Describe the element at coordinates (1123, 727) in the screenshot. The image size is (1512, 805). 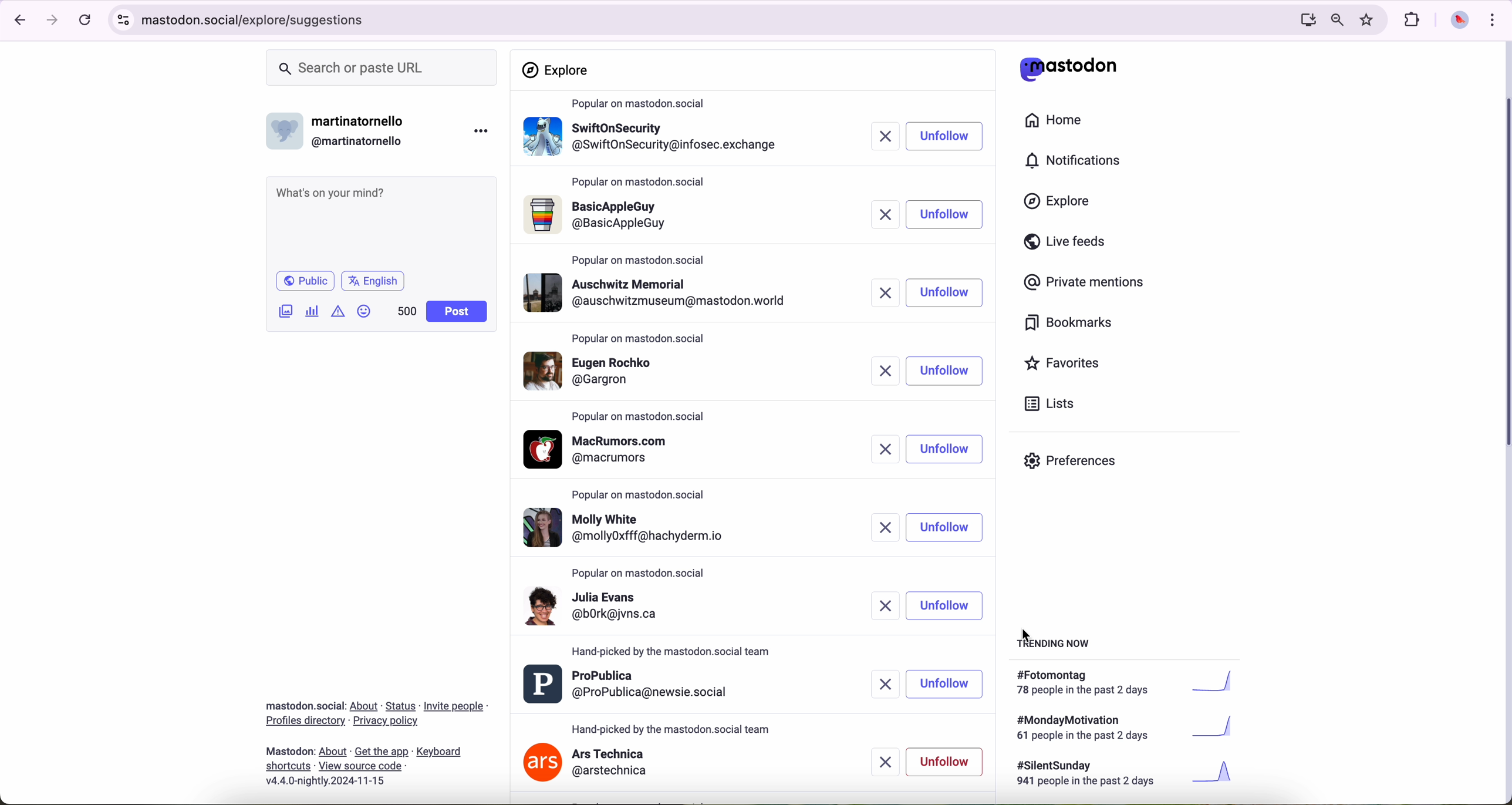
I see `#mondaymotivation` at that location.